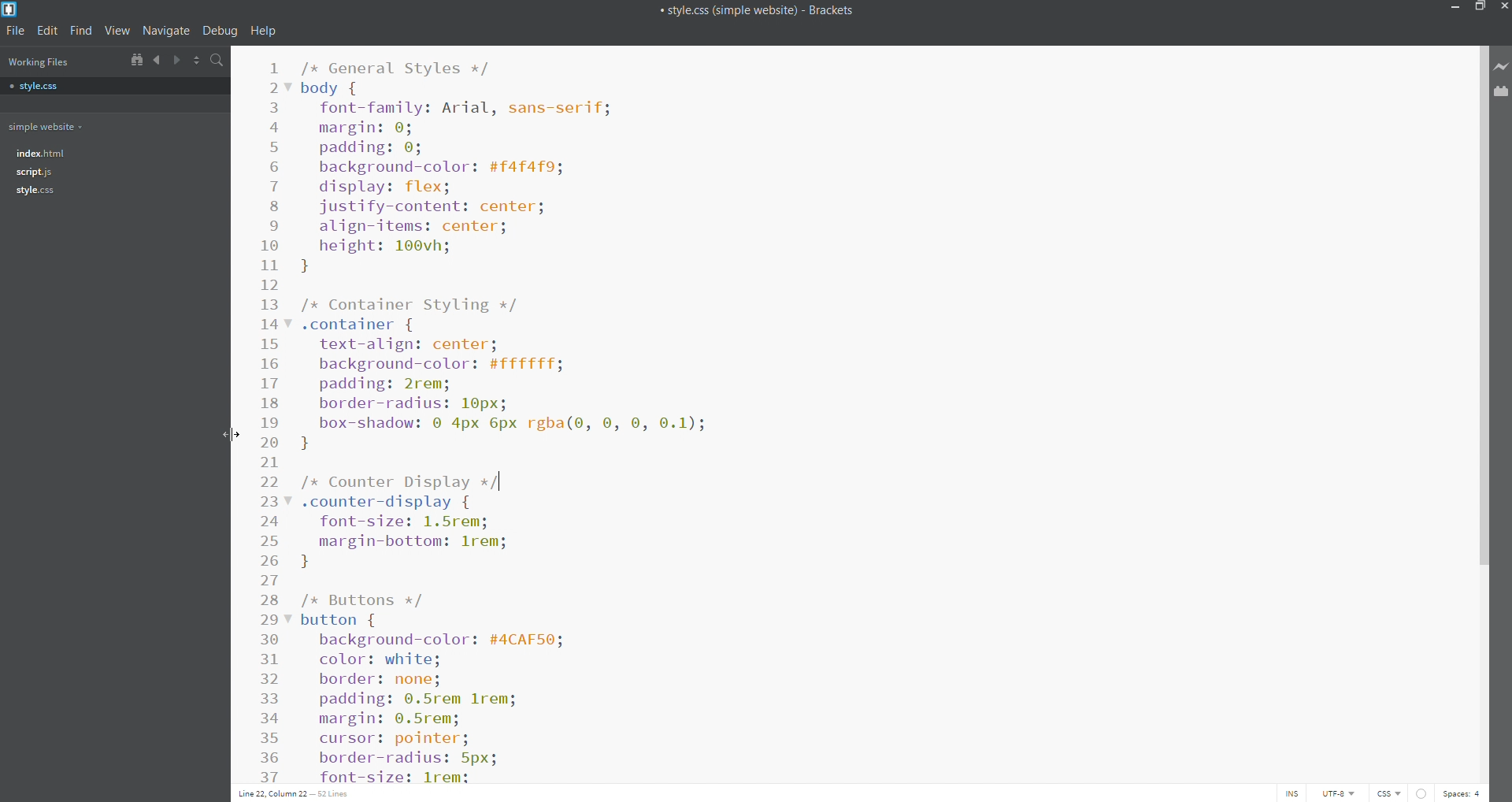 The height and width of the screenshot is (802, 1512). I want to click on file tree - style.css, so click(35, 191).